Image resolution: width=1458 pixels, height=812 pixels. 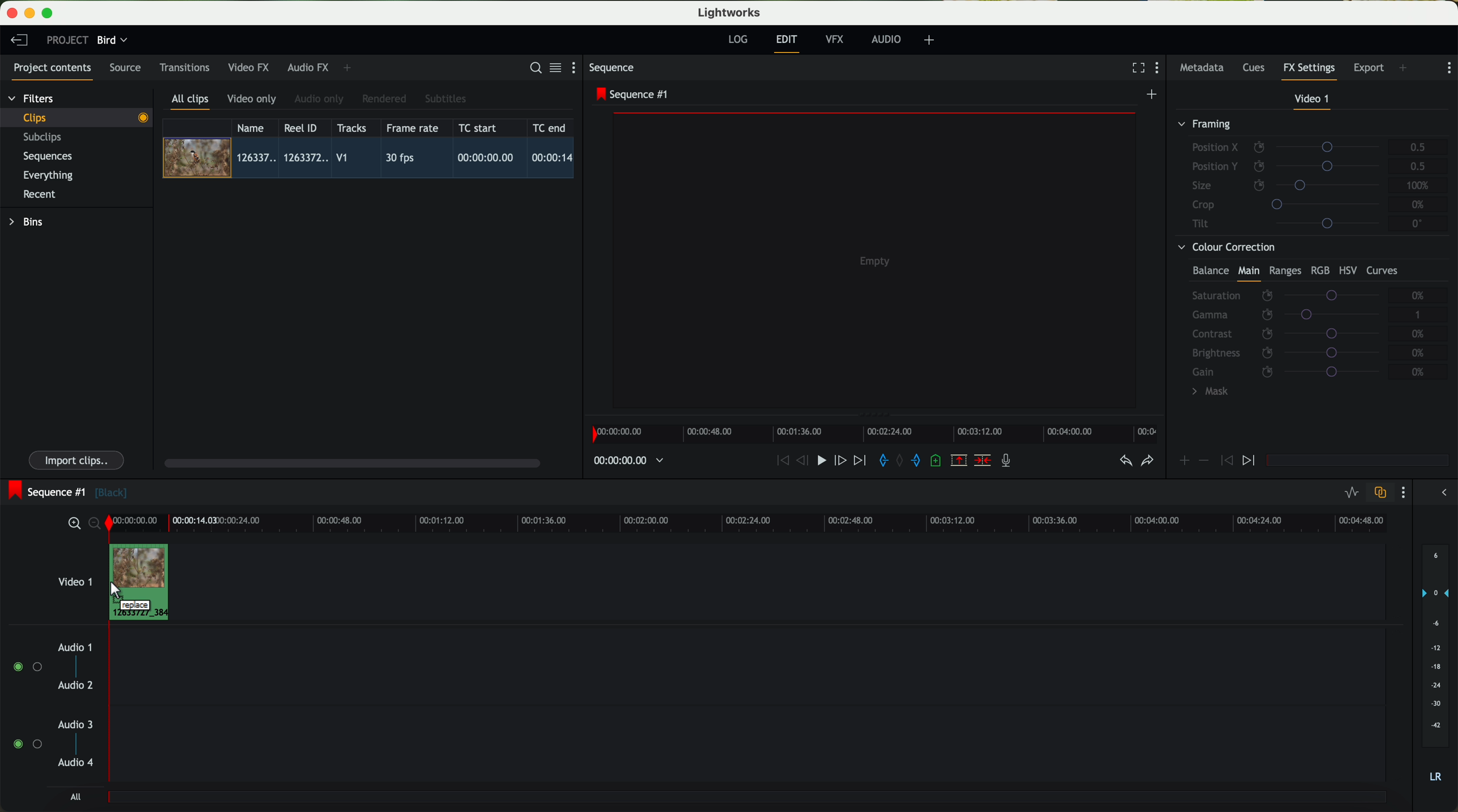 What do you see at coordinates (871, 431) in the screenshot?
I see `timeline` at bounding box center [871, 431].